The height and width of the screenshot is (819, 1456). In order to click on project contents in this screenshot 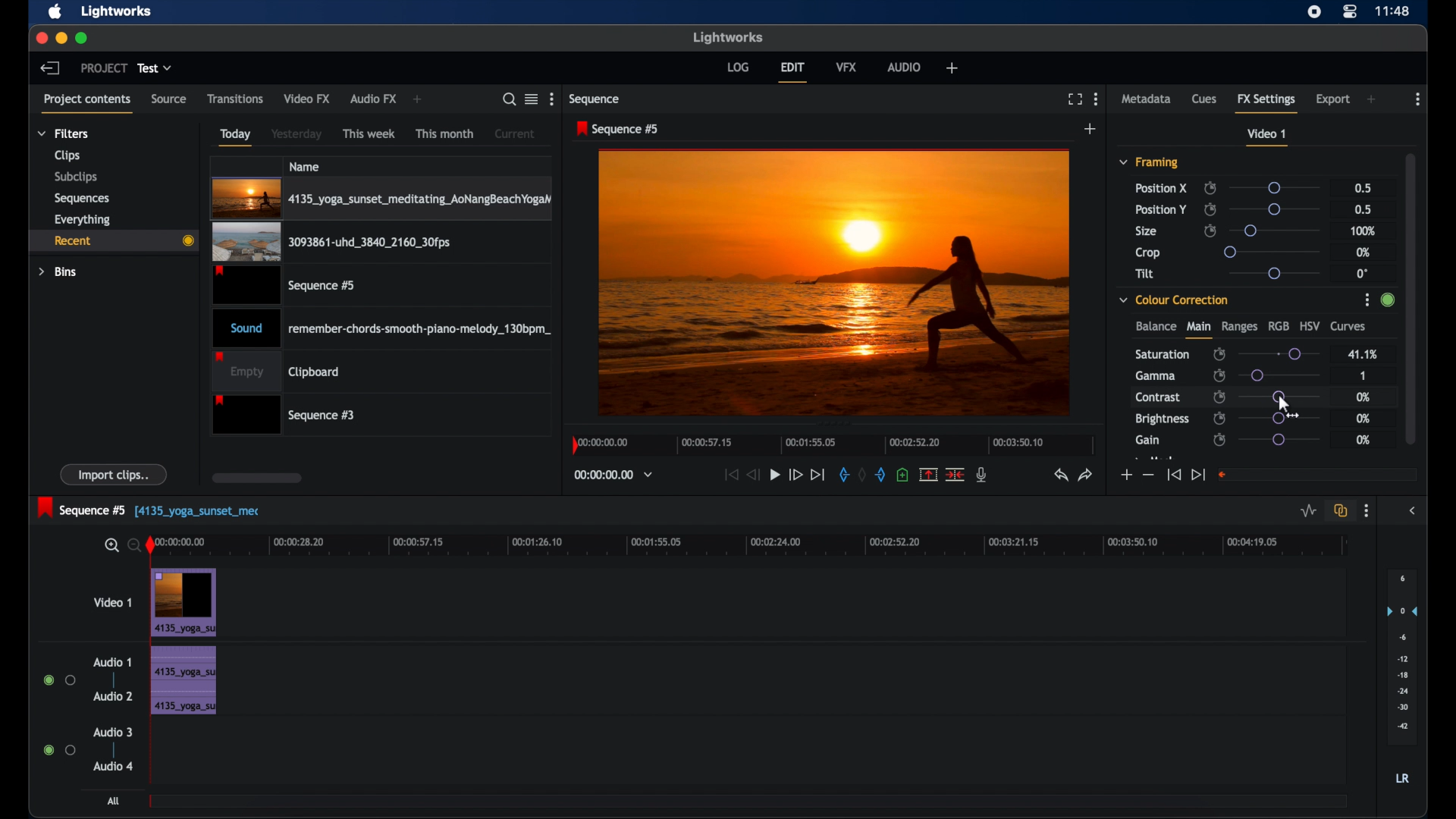, I will do `click(89, 102)`.